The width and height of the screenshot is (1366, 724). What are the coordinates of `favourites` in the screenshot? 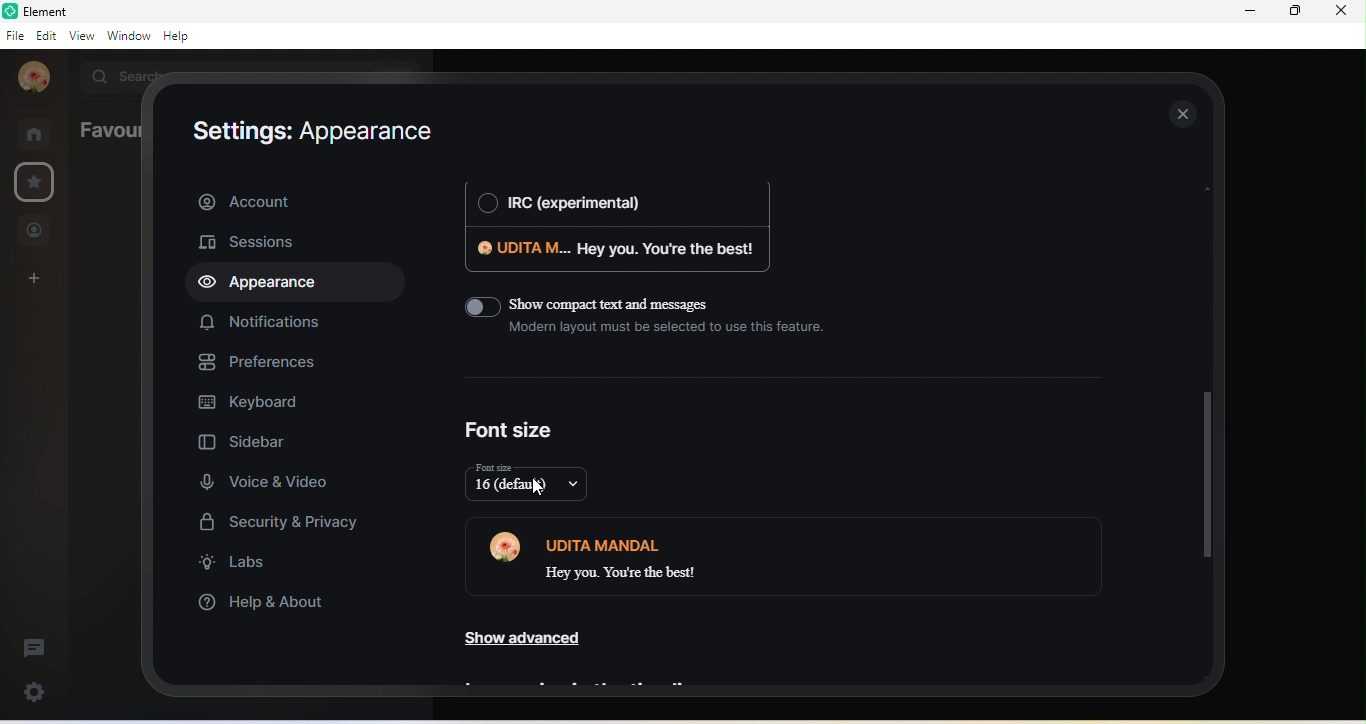 It's located at (37, 185).